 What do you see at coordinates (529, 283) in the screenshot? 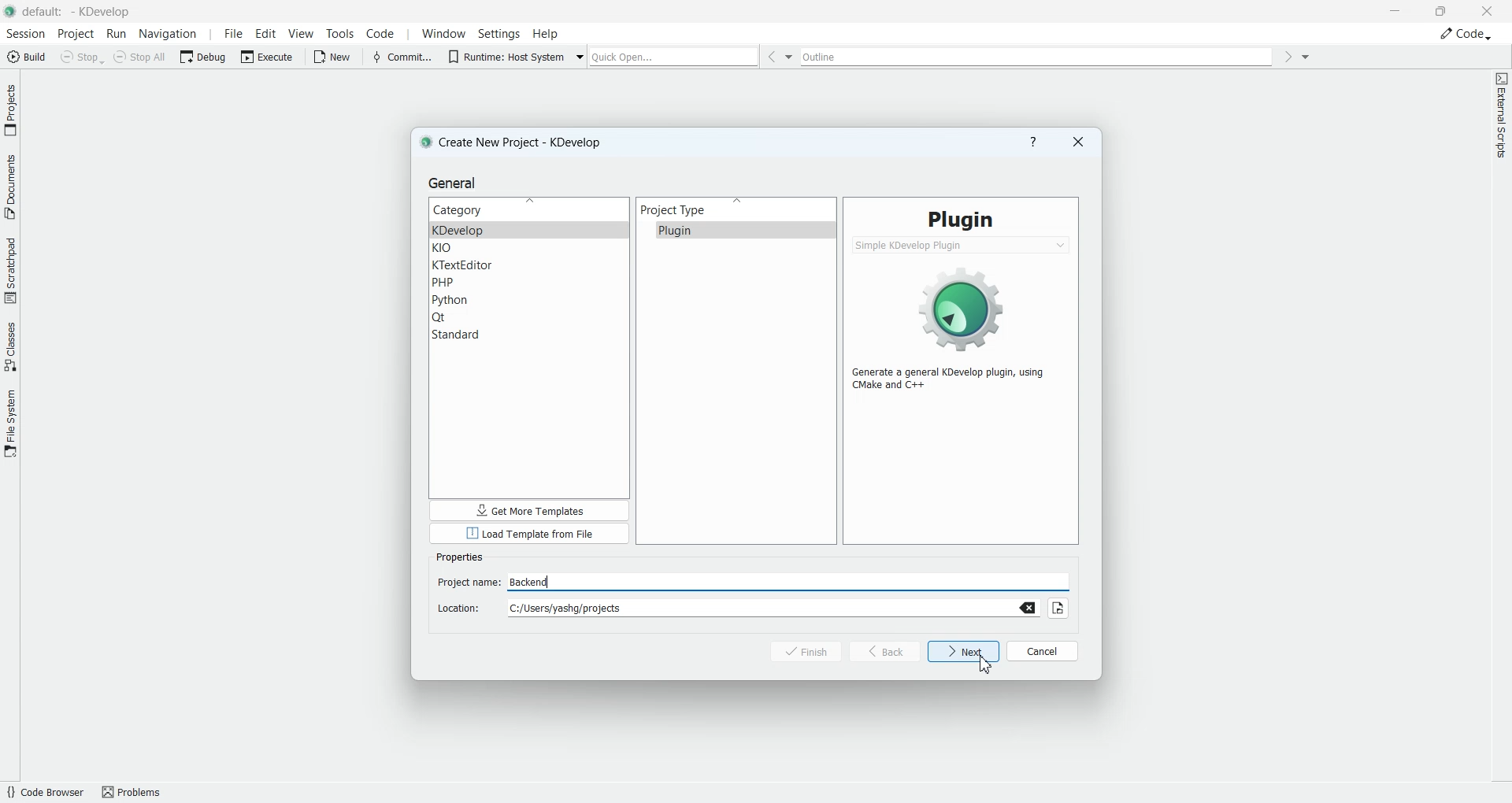
I see `PHP` at bounding box center [529, 283].